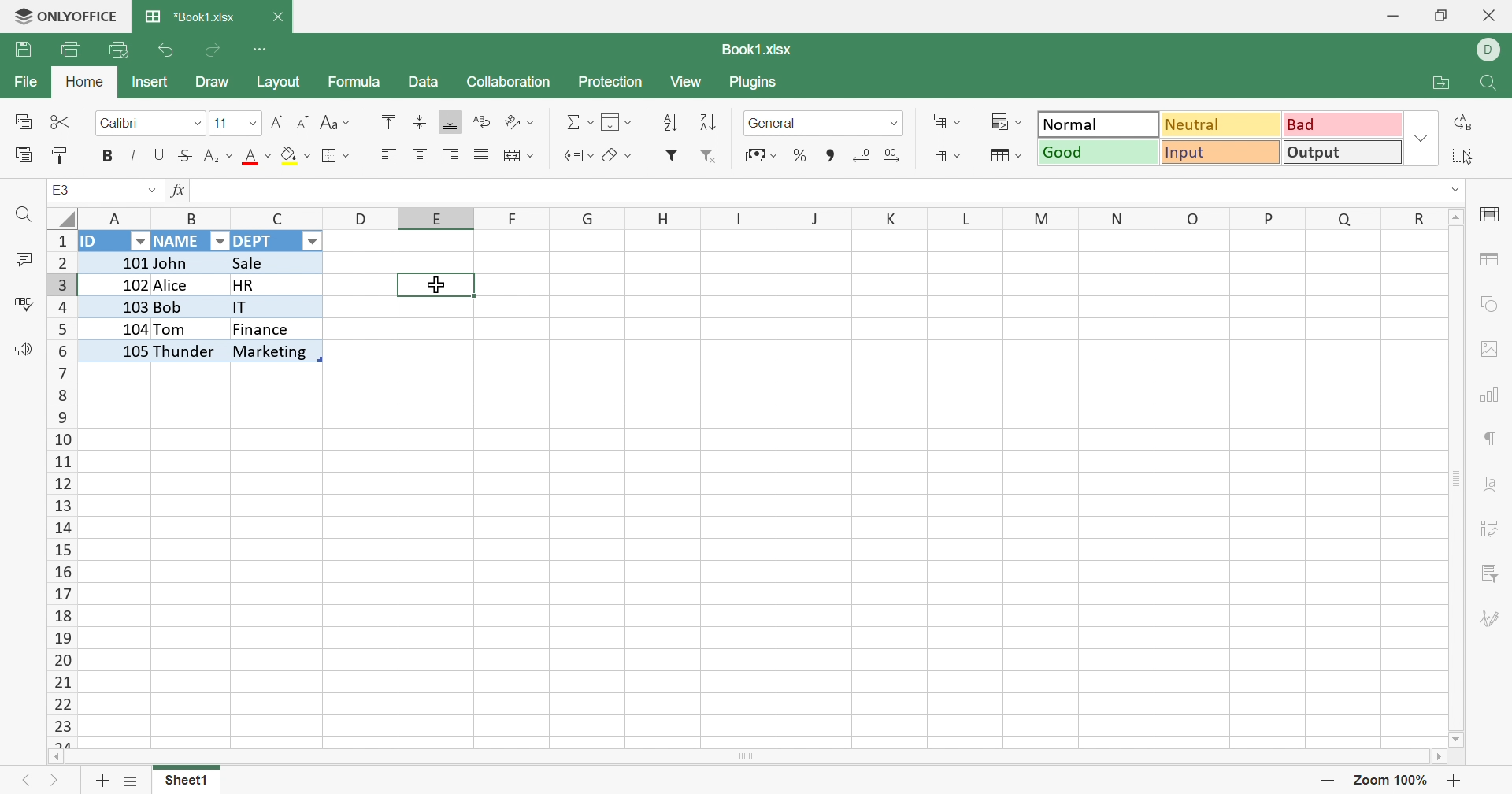  I want to click on View, so click(688, 83).